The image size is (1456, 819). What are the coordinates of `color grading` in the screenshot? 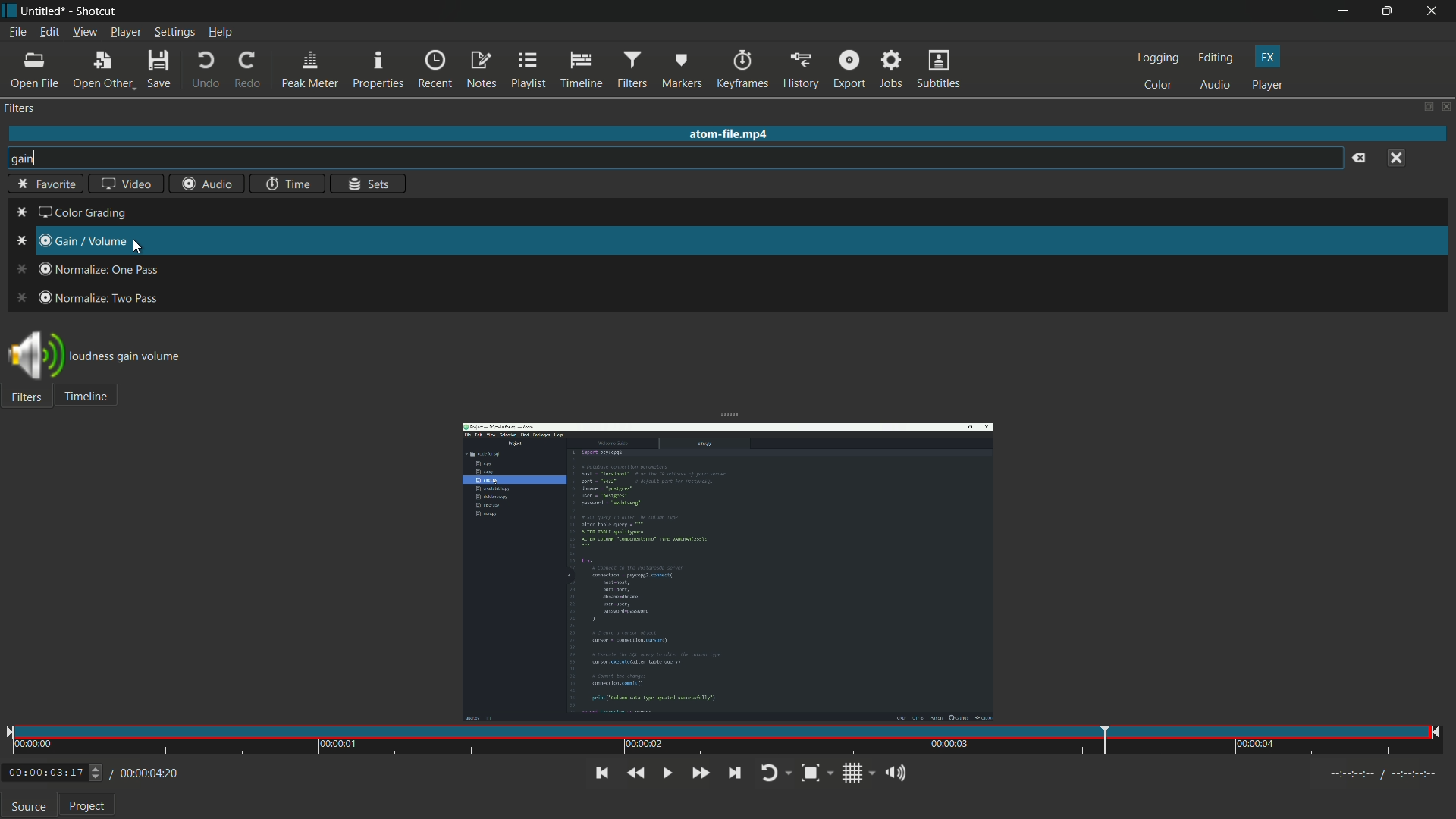 It's located at (71, 214).